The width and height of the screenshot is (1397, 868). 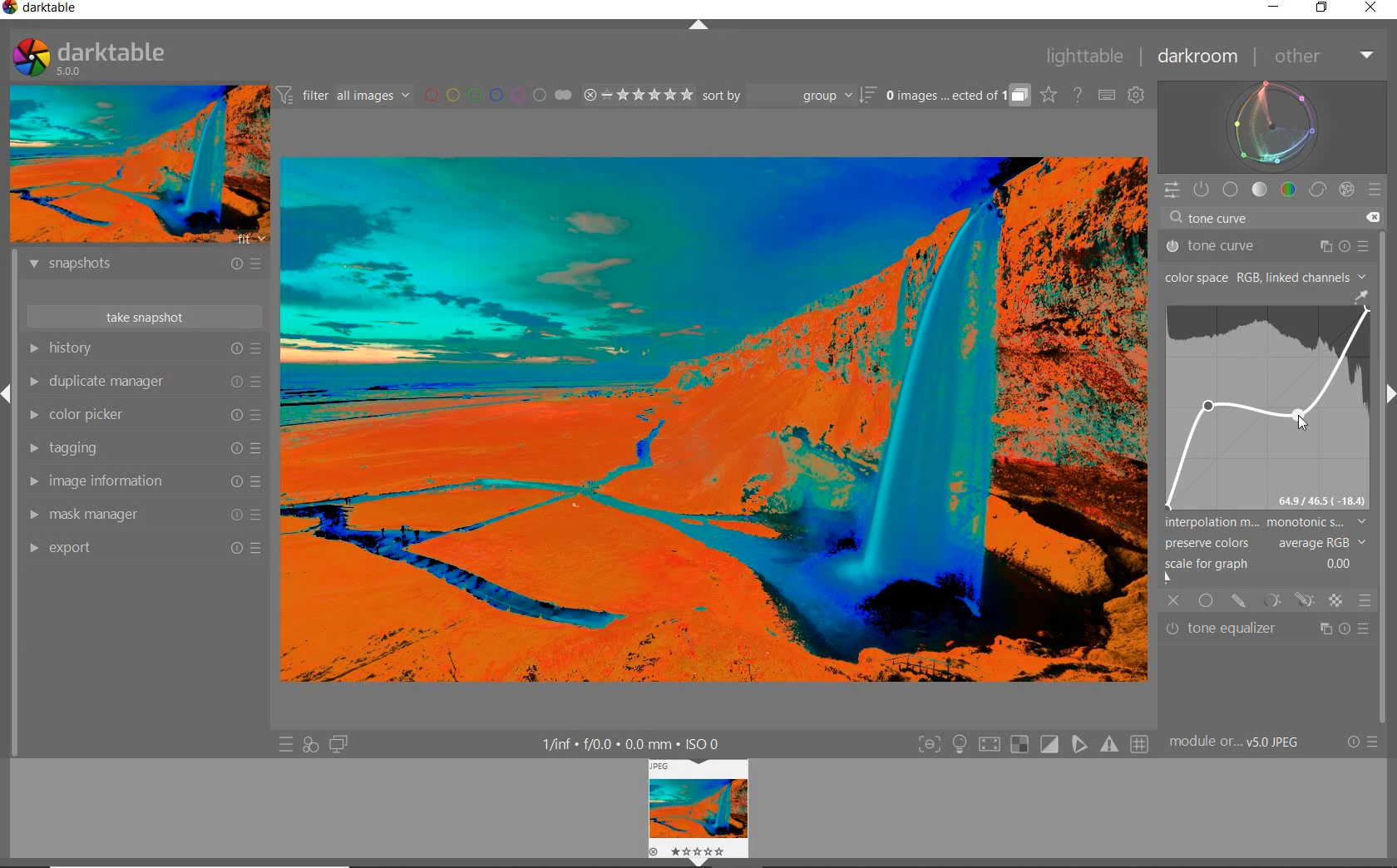 I want to click on Expand/Collapse, so click(x=714, y=862).